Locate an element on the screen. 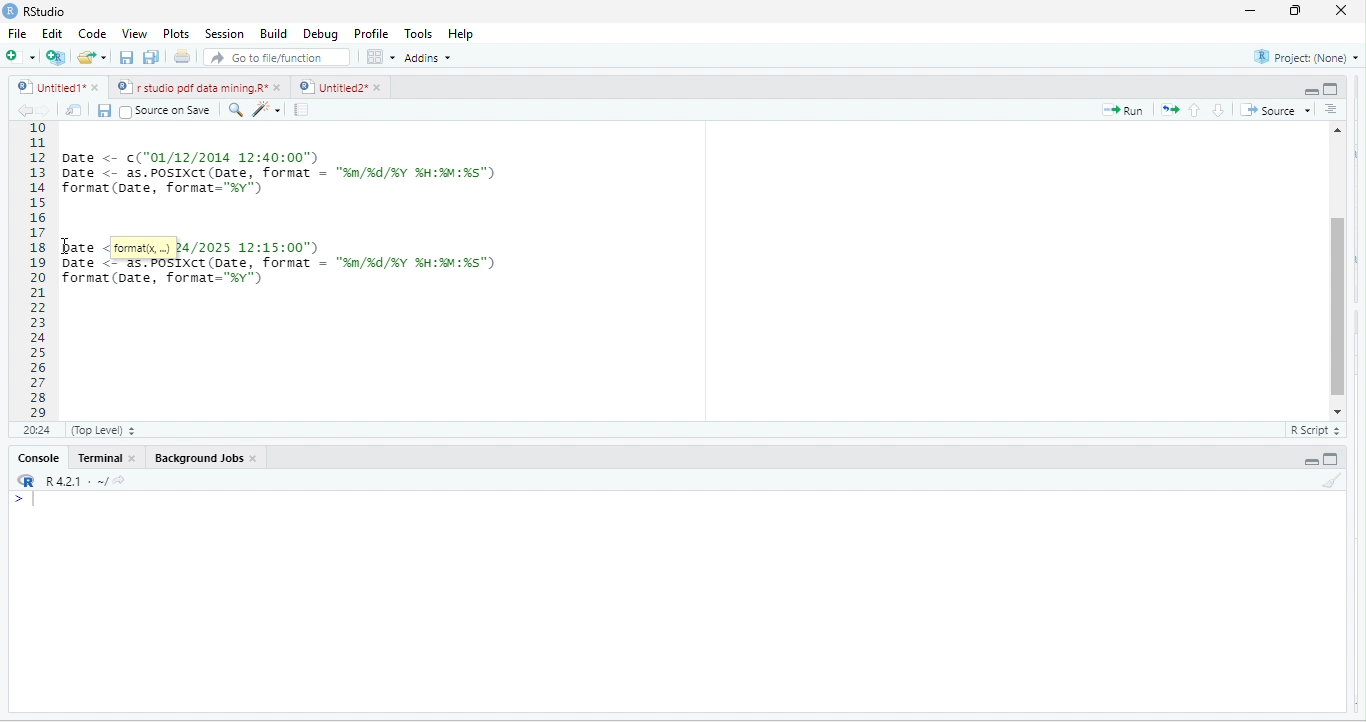 This screenshot has width=1366, height=722. go to next section/chunk is located at coordinates (1219, 110).